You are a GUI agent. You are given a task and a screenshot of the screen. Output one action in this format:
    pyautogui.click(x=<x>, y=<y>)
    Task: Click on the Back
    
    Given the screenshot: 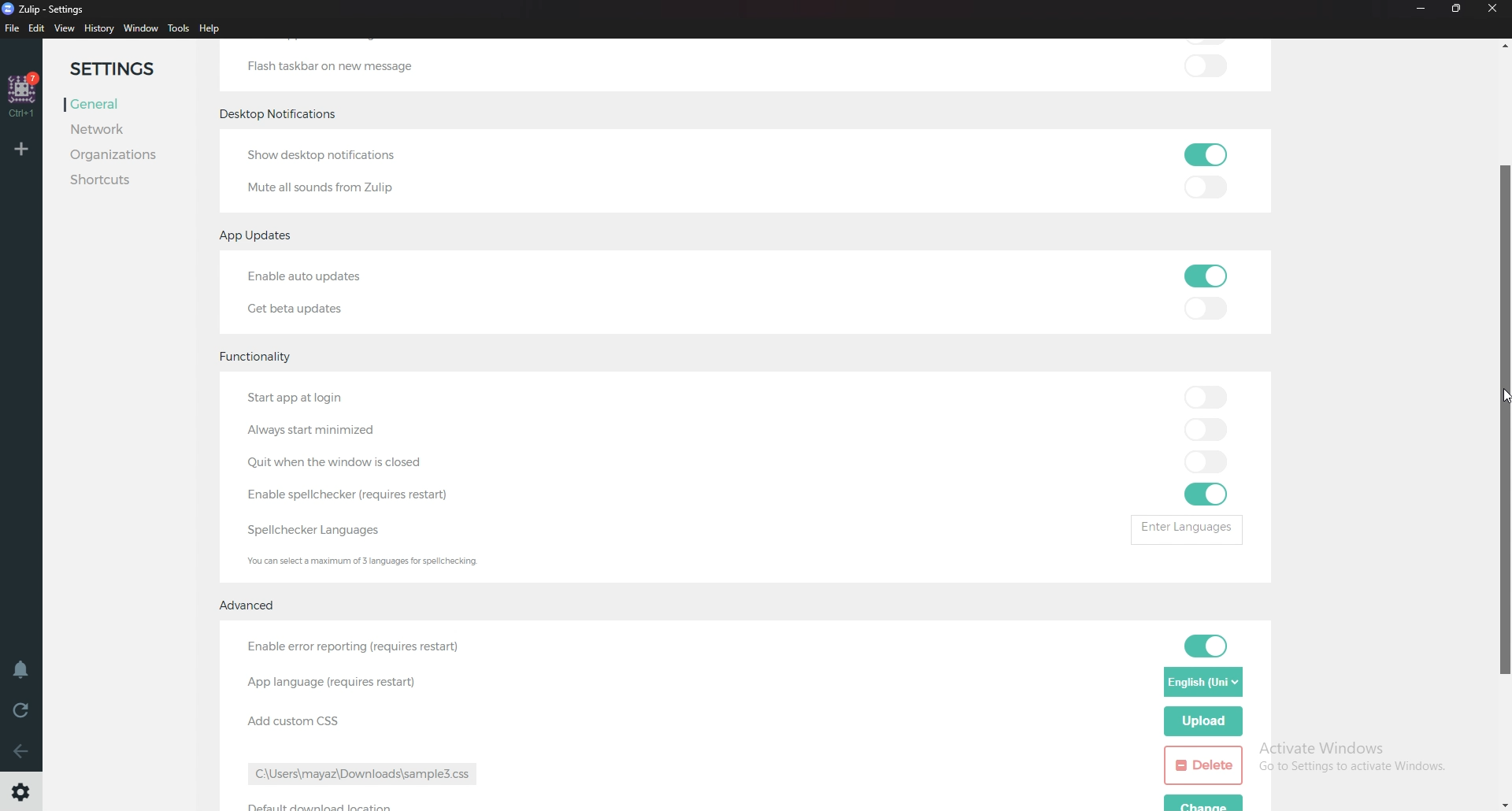 What is the action you would take?
    pyautogui.click(x=22, y=754)
    